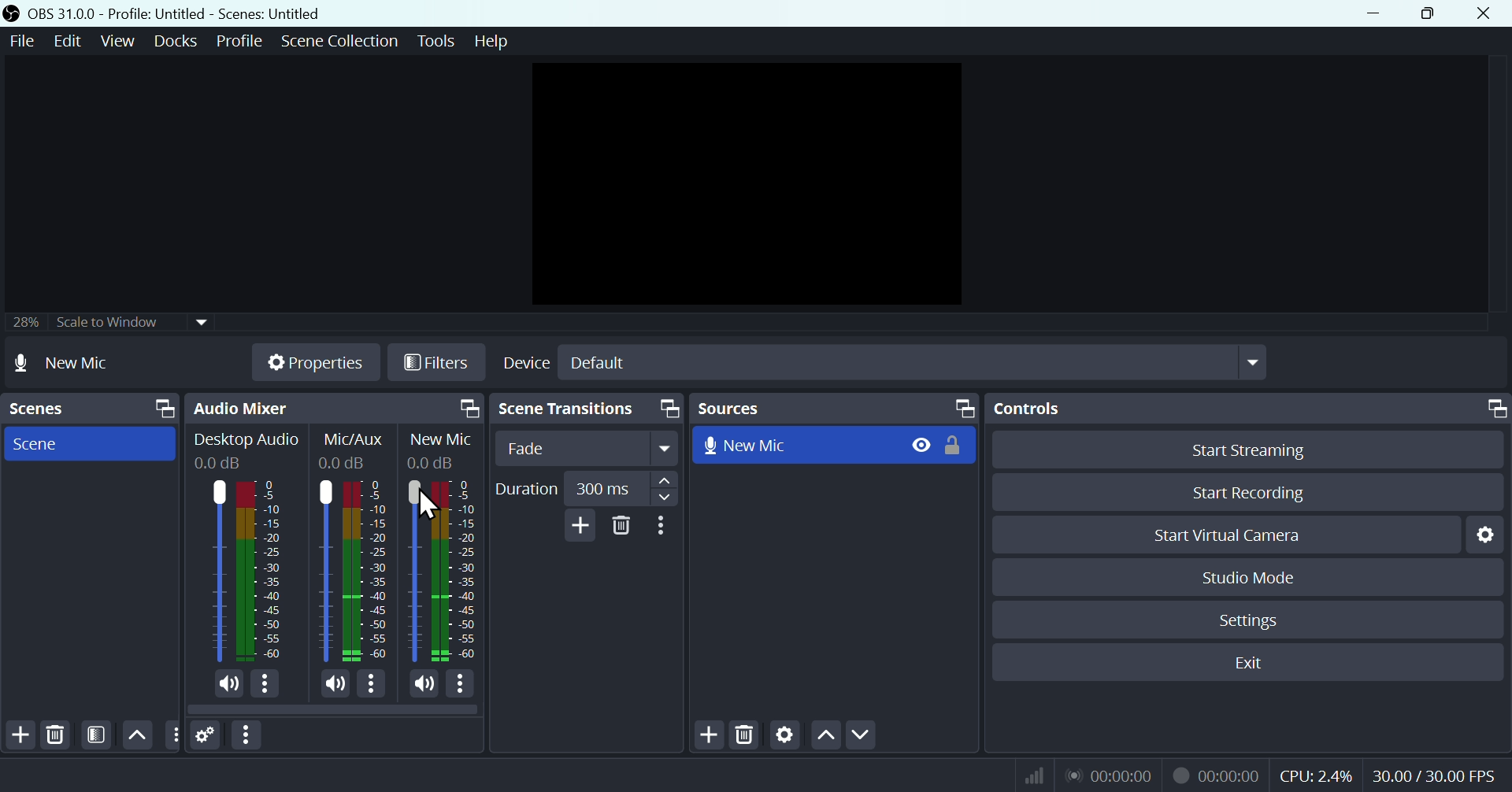  What do you see at coordinates (55, 735) in the screenshot?
I see `Delete` at bounding box center [55, 735].